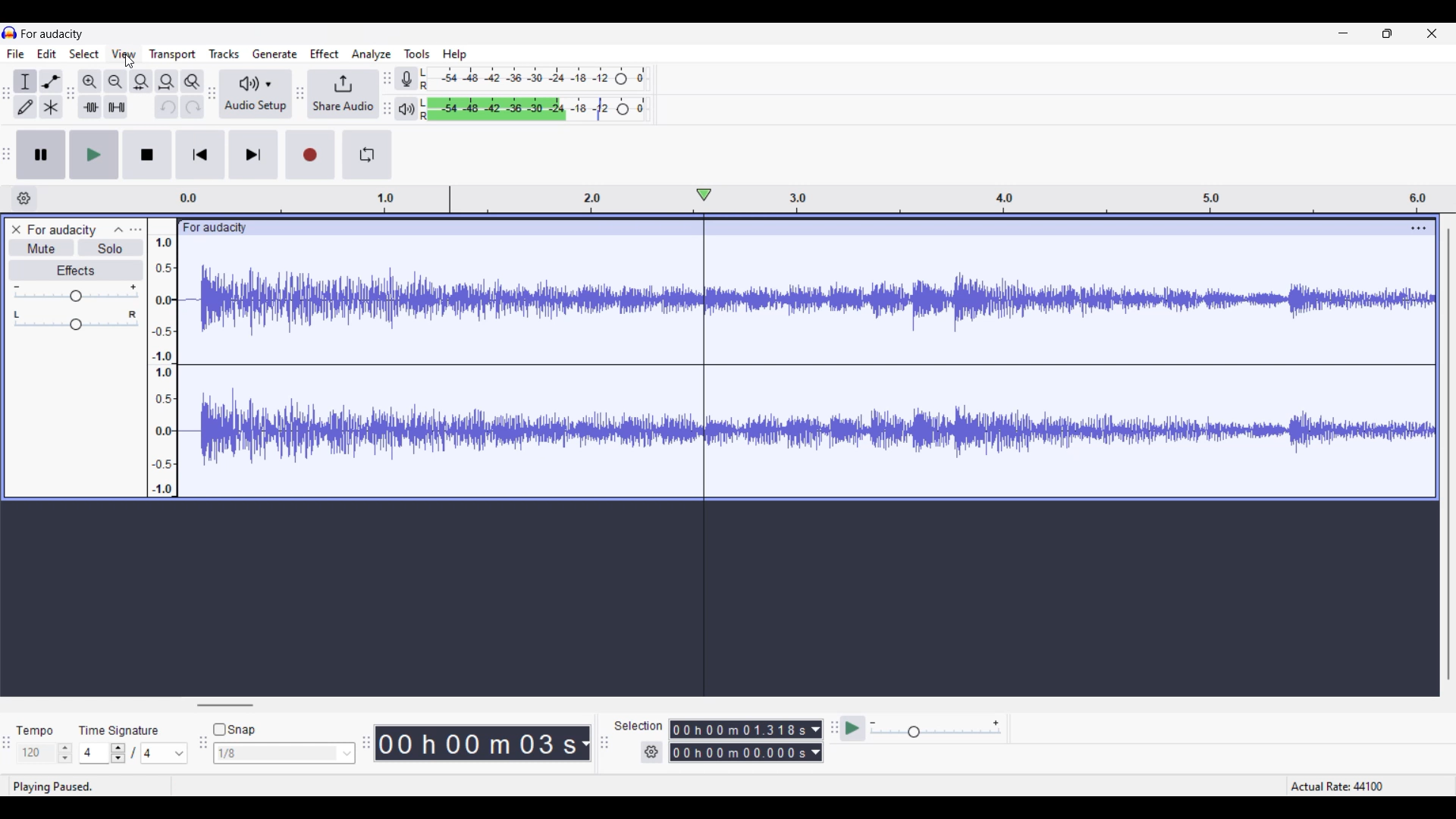 This screenshot has width=1456, height=819. What do you see at coordinates (34, 731) in the screenshot?
I see `Indicates Tempo settings` at bounding box center [34, 731].